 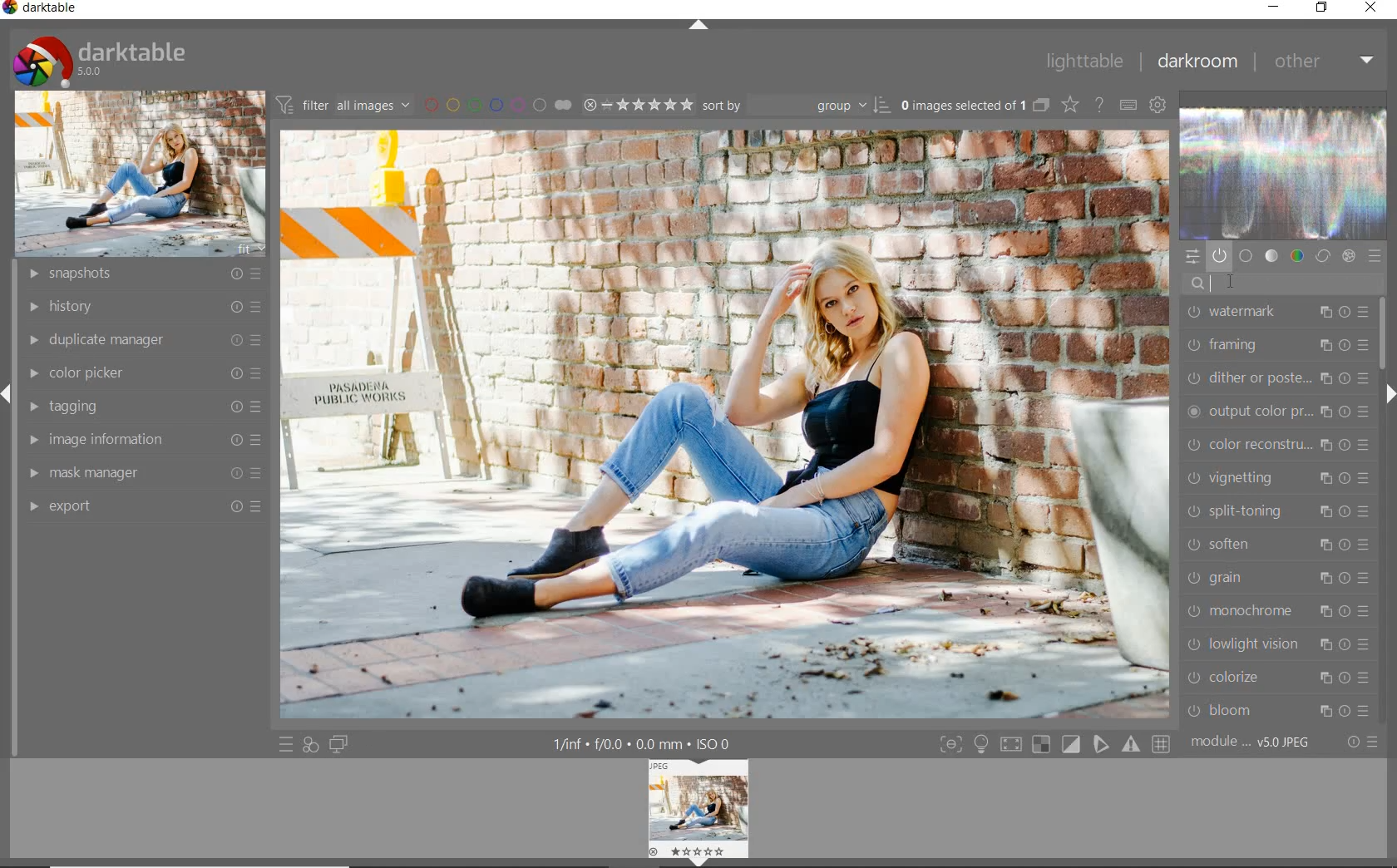 I want to click on tone, so click(x=1272, y=254).